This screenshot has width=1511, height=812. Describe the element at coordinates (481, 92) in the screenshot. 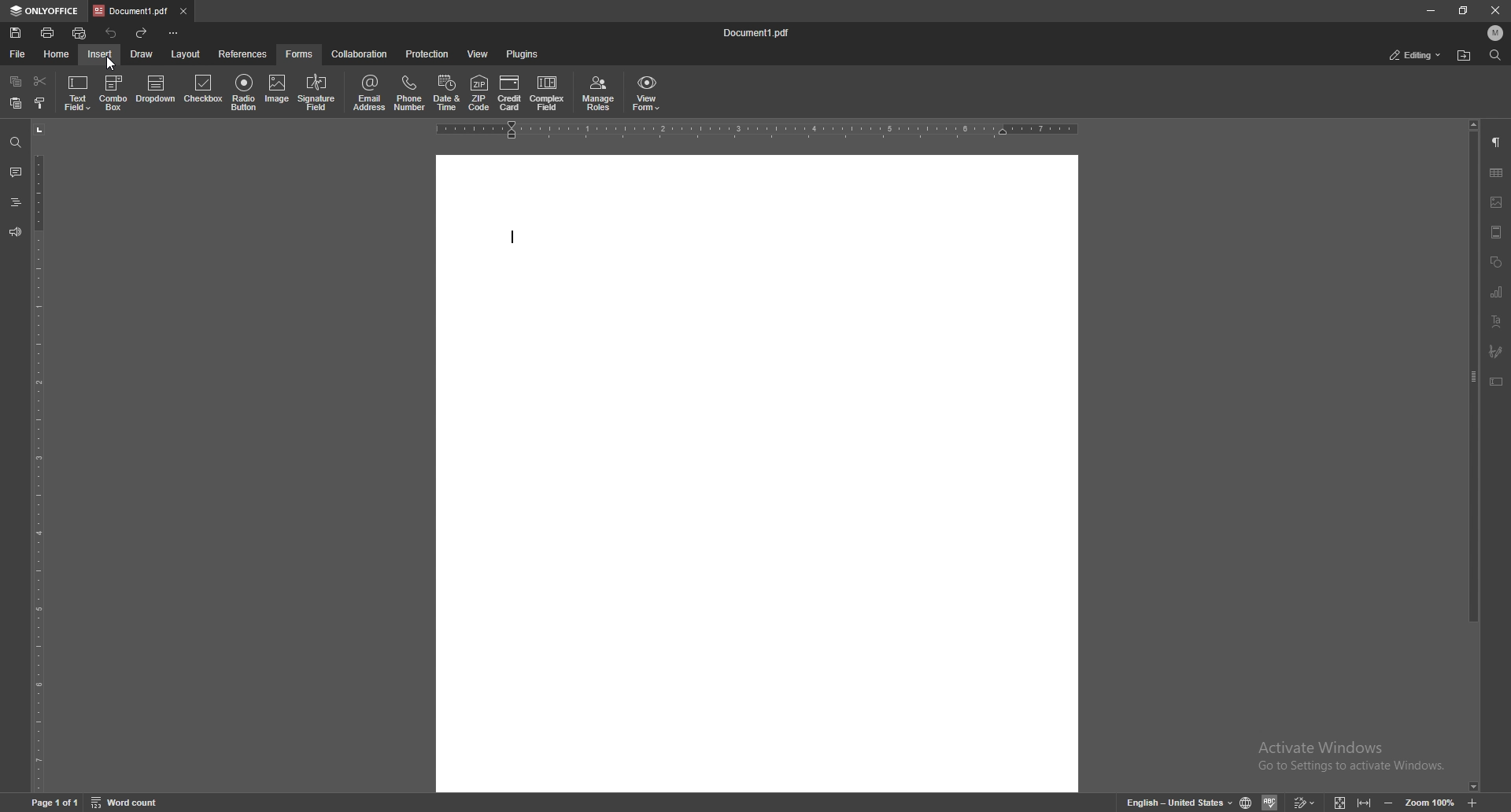

I see `zip code` at that location.